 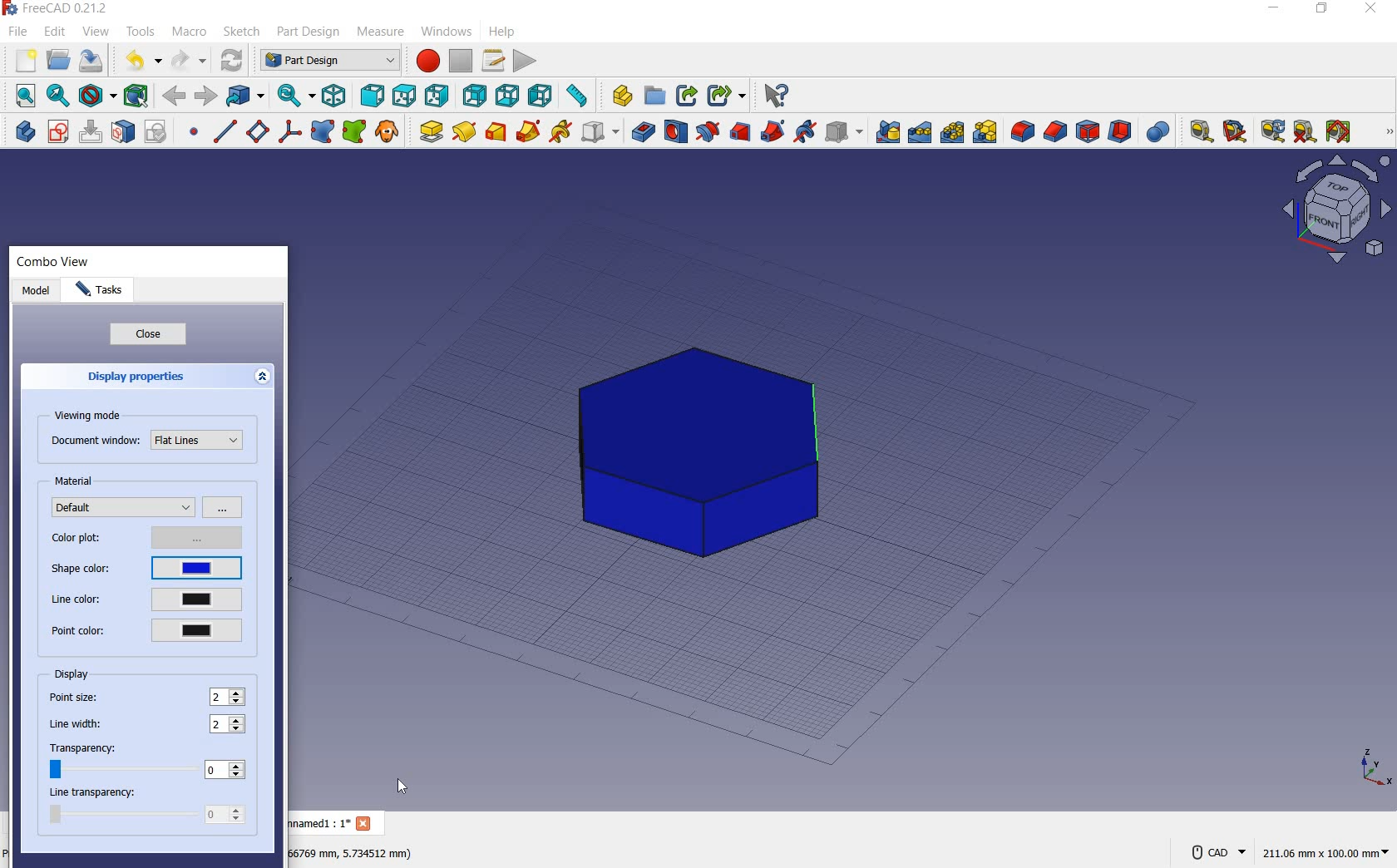 What do you see at coordinates (674, 131) in the screenshot?
I see `hole` at bounding box center [674, 131].